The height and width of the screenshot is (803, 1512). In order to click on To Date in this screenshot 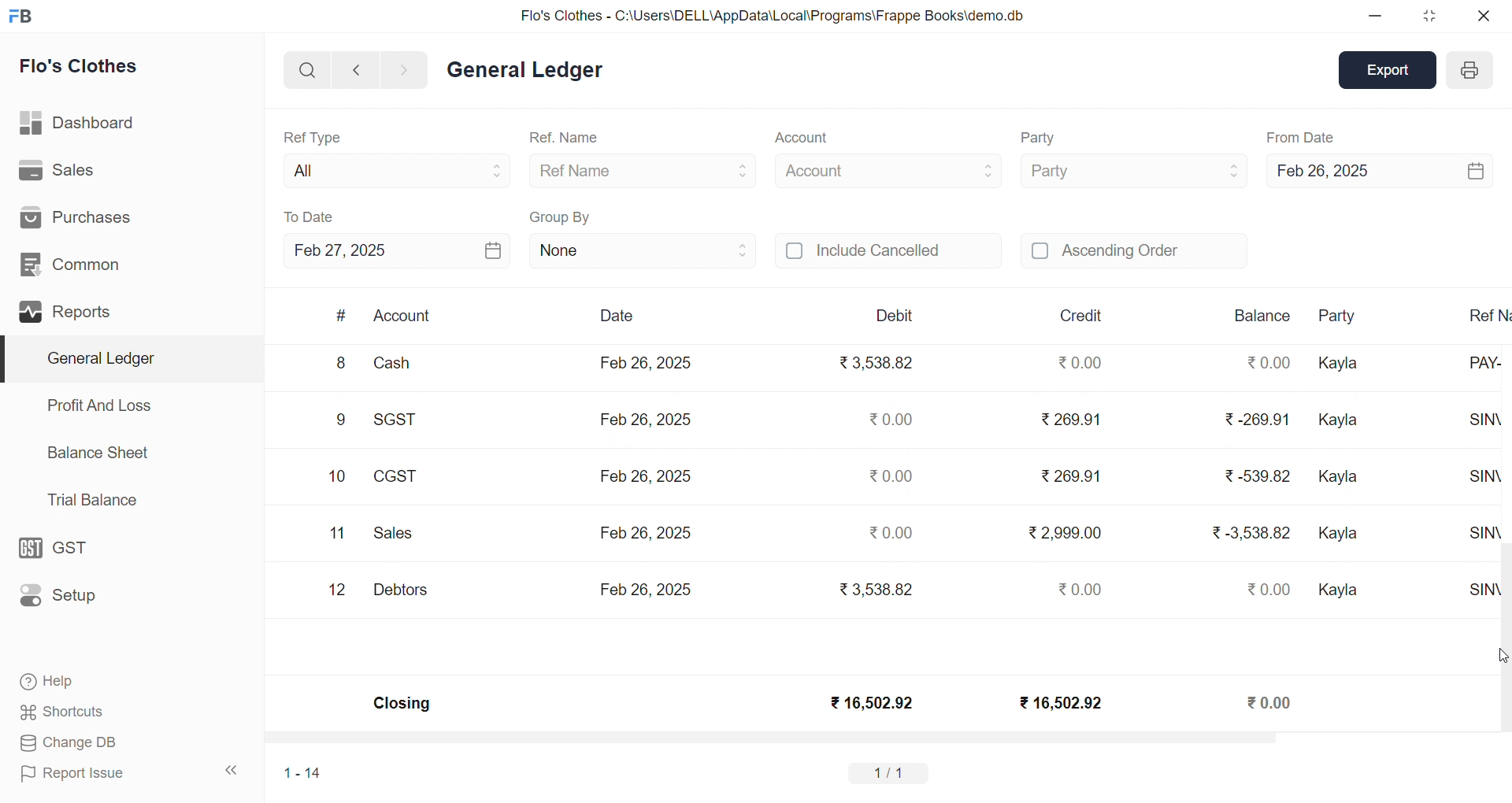, I will do `click(310, 216)`.